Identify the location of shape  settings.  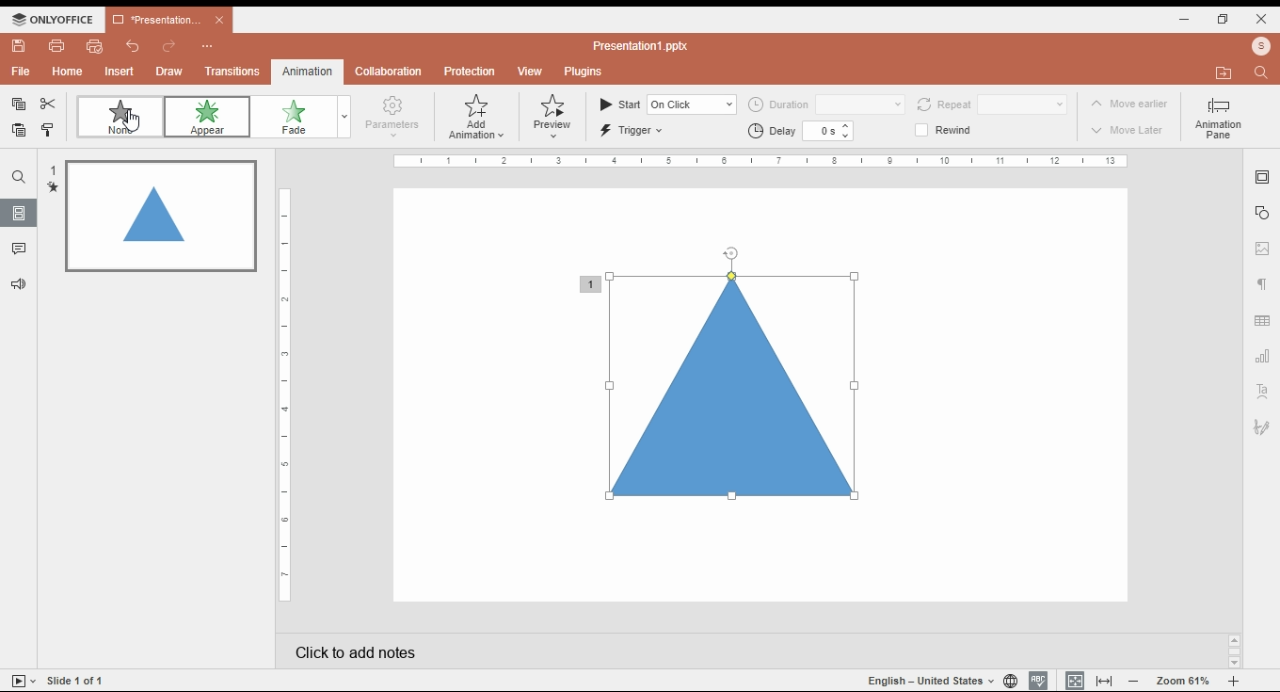
(1261, 214).